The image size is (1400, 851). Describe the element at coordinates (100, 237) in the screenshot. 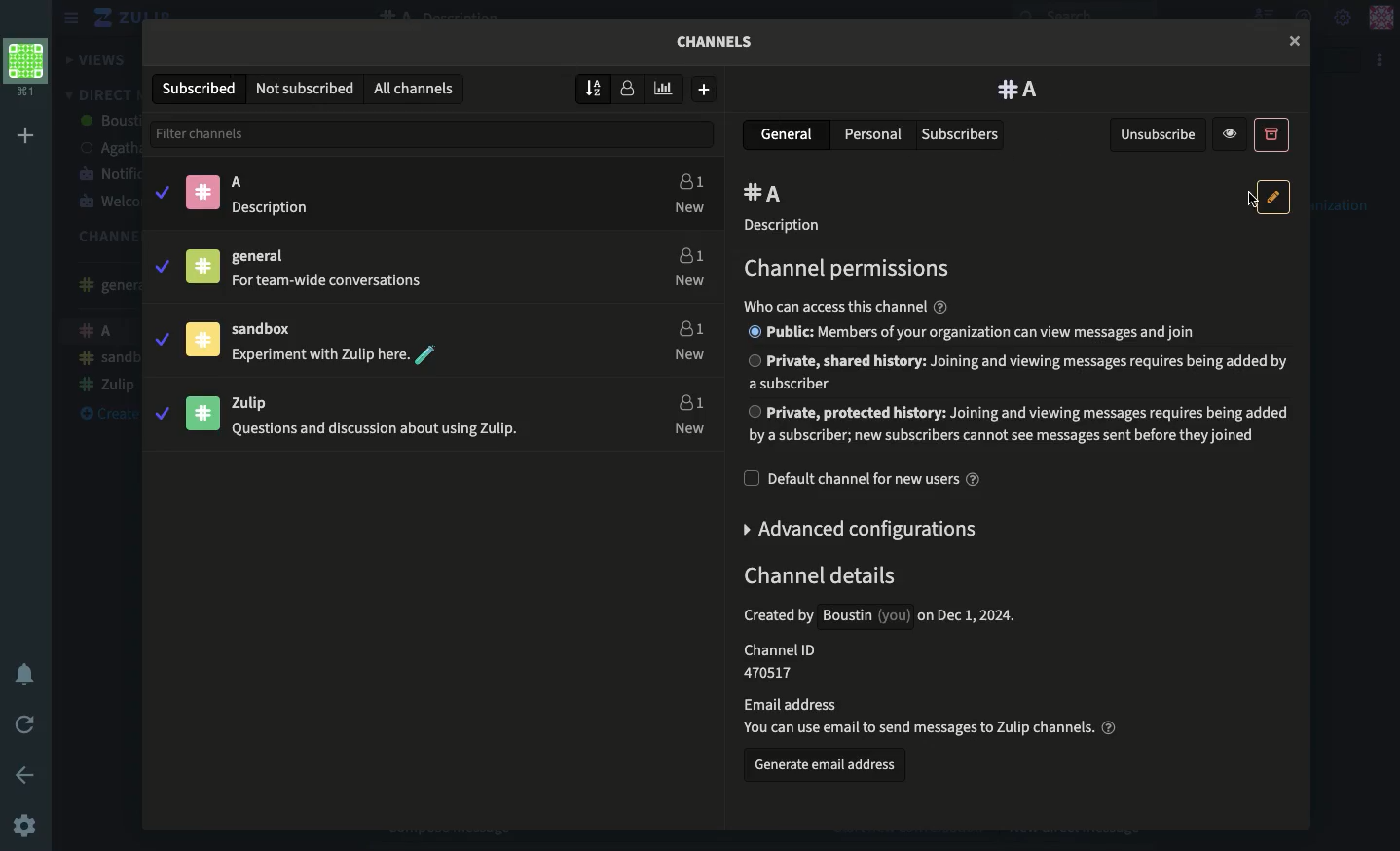

I see `Channels` at that location.